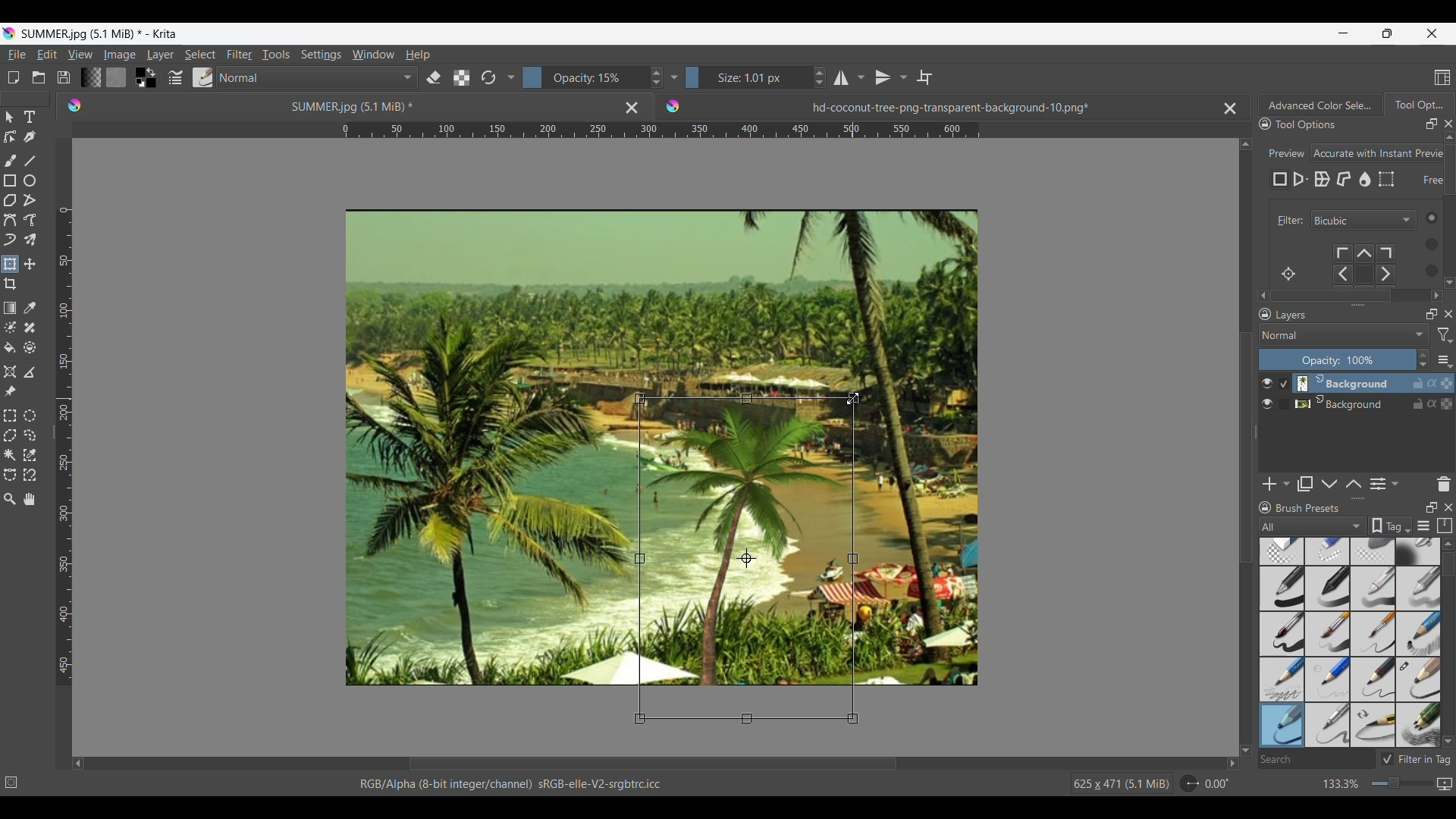  Describe the element at coordinates (239, 55) in the screenshot. I see `Filter` at that location.